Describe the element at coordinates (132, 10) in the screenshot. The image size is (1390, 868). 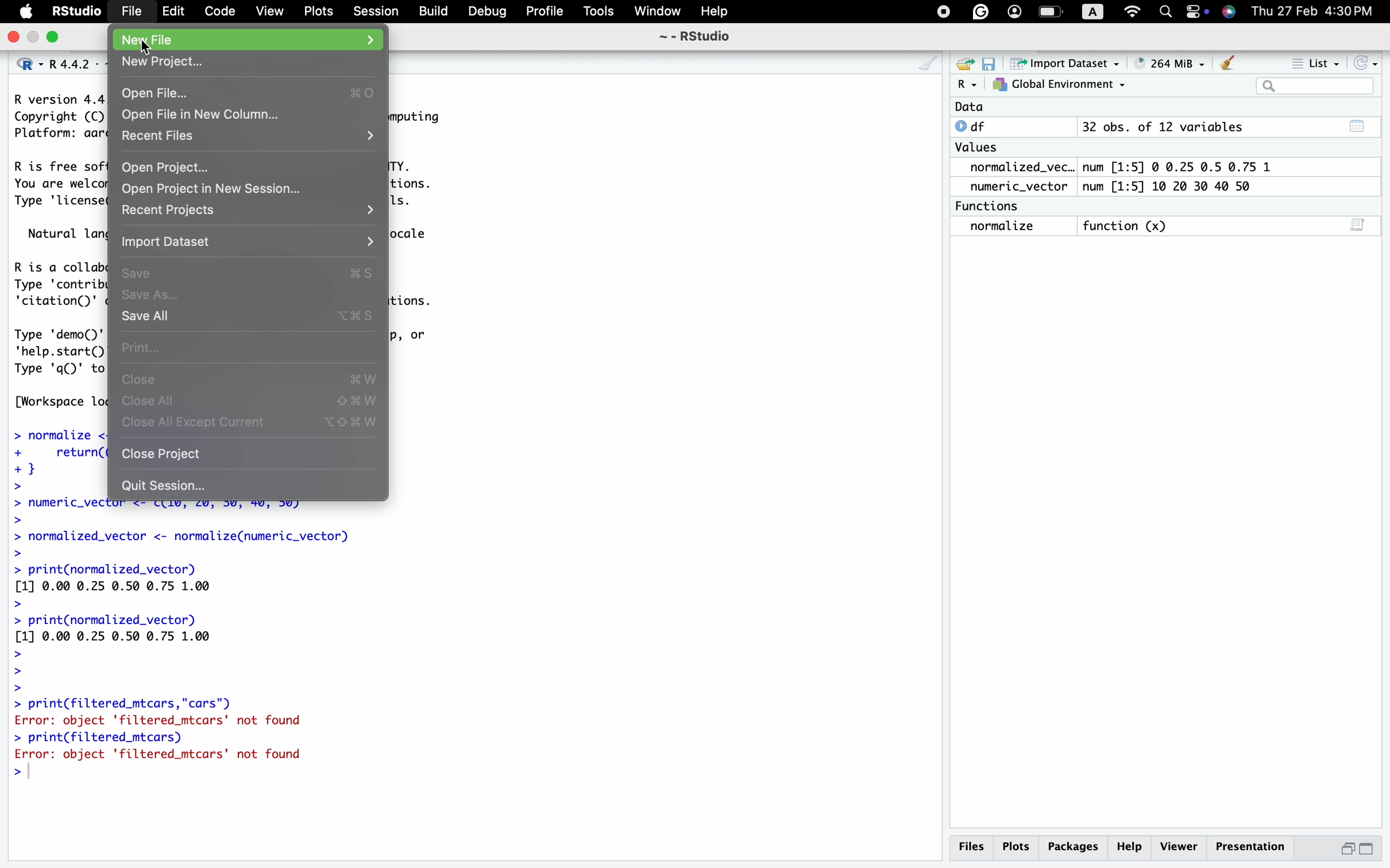
I see `File` at that location.